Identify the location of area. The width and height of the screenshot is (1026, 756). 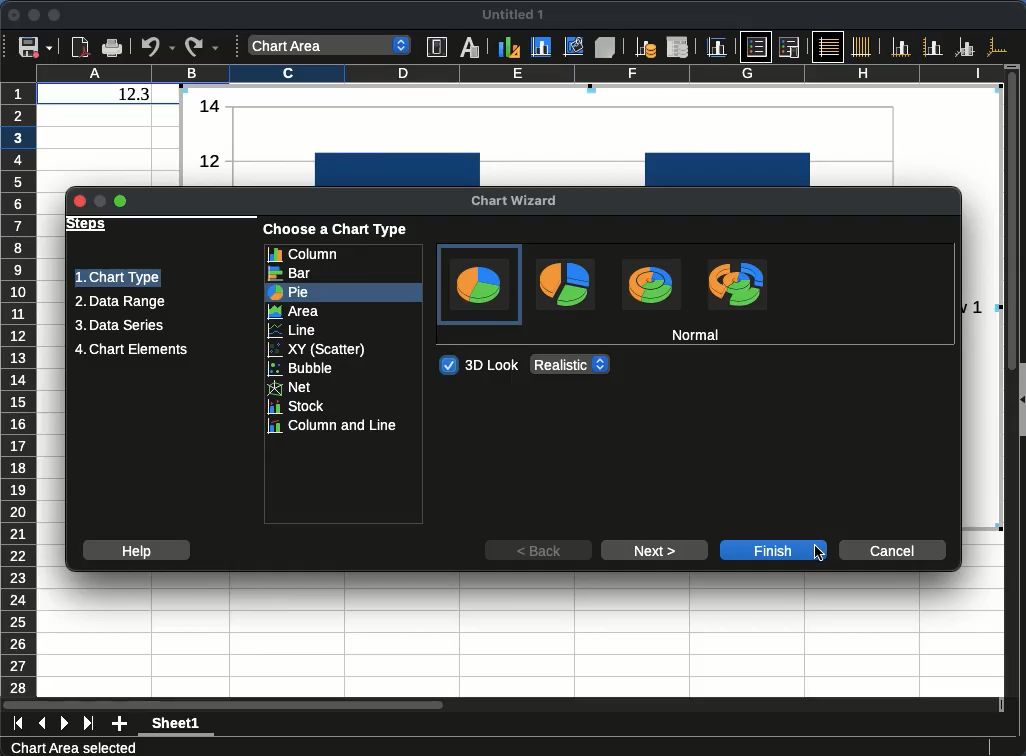
(344, 312).